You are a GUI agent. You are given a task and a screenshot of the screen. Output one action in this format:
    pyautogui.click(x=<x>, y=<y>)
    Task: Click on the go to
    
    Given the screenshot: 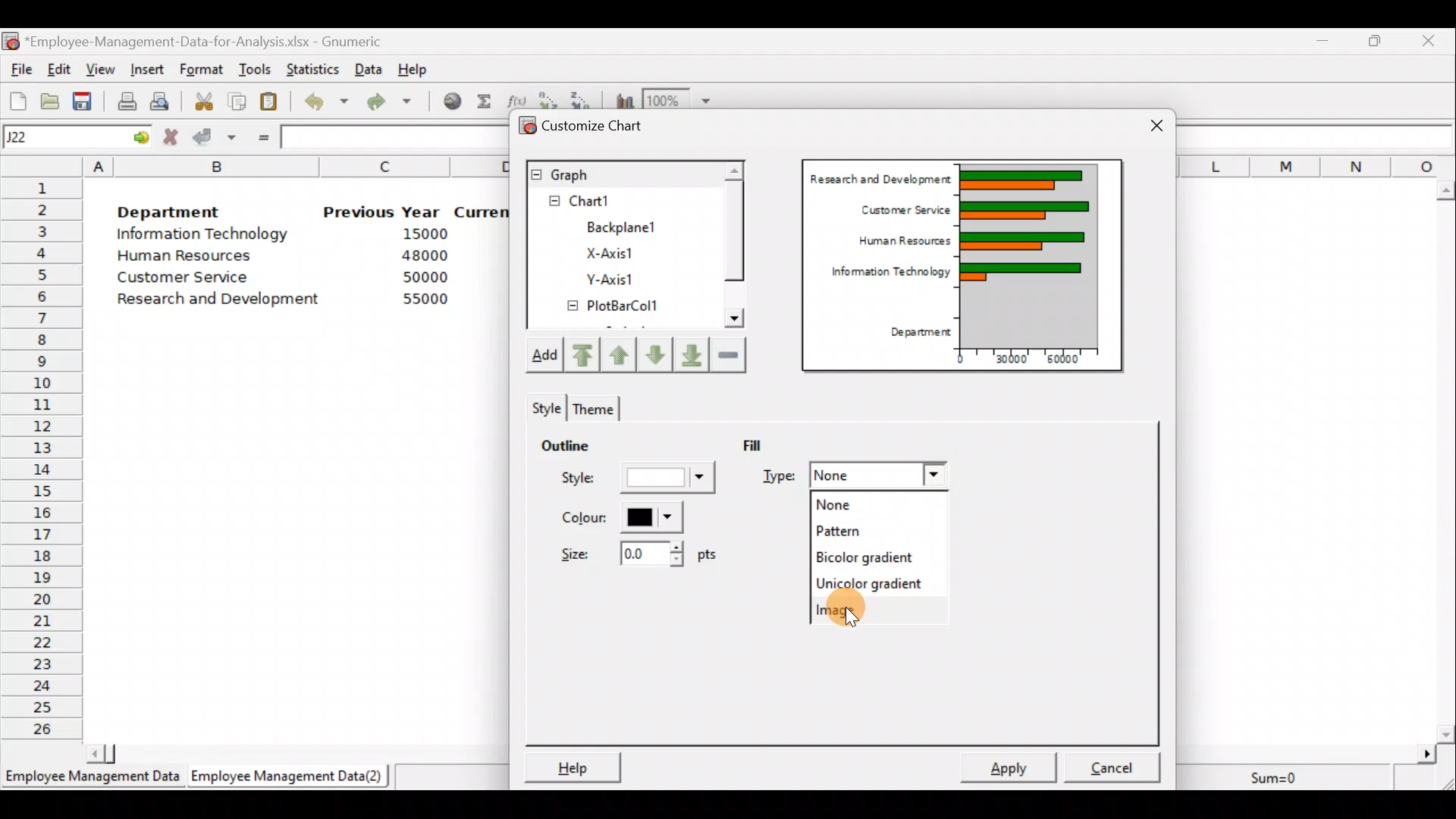 What is the action you would take?
    pyautogui.click(x=140, y=137)
    